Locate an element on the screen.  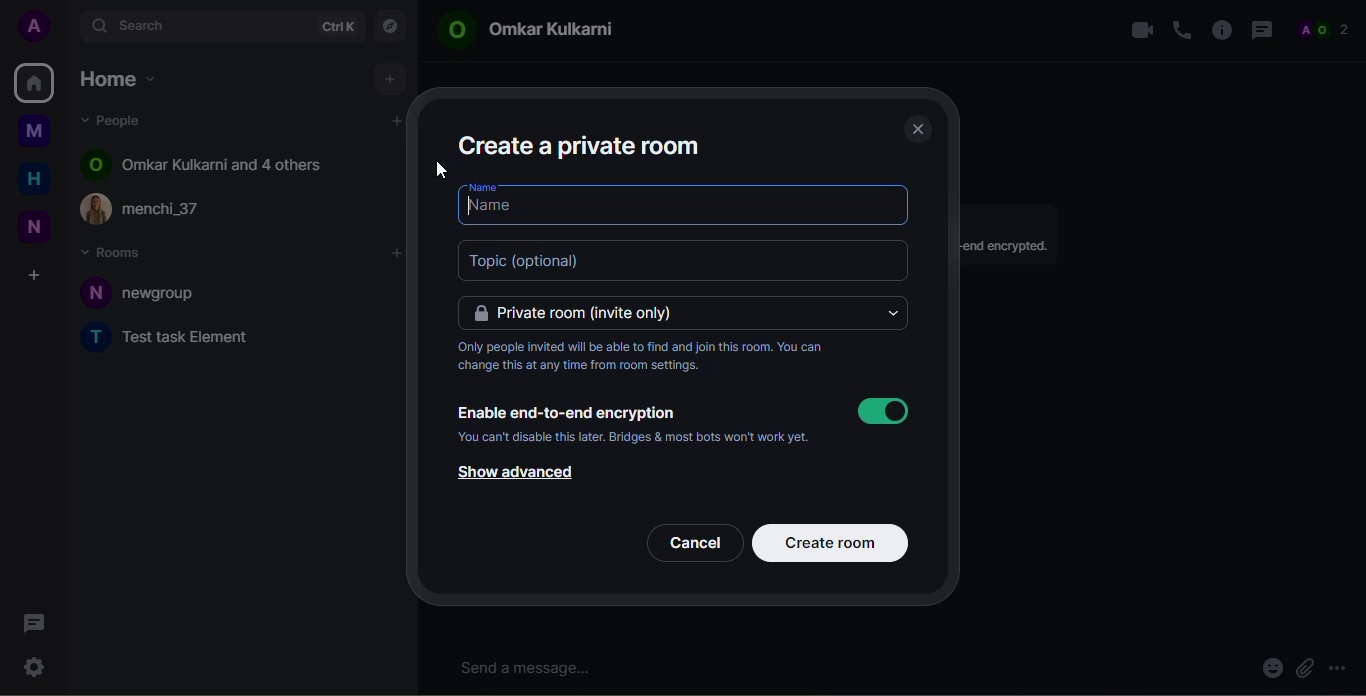
enable end-to-end encryption is located at coordinates (568, 412).